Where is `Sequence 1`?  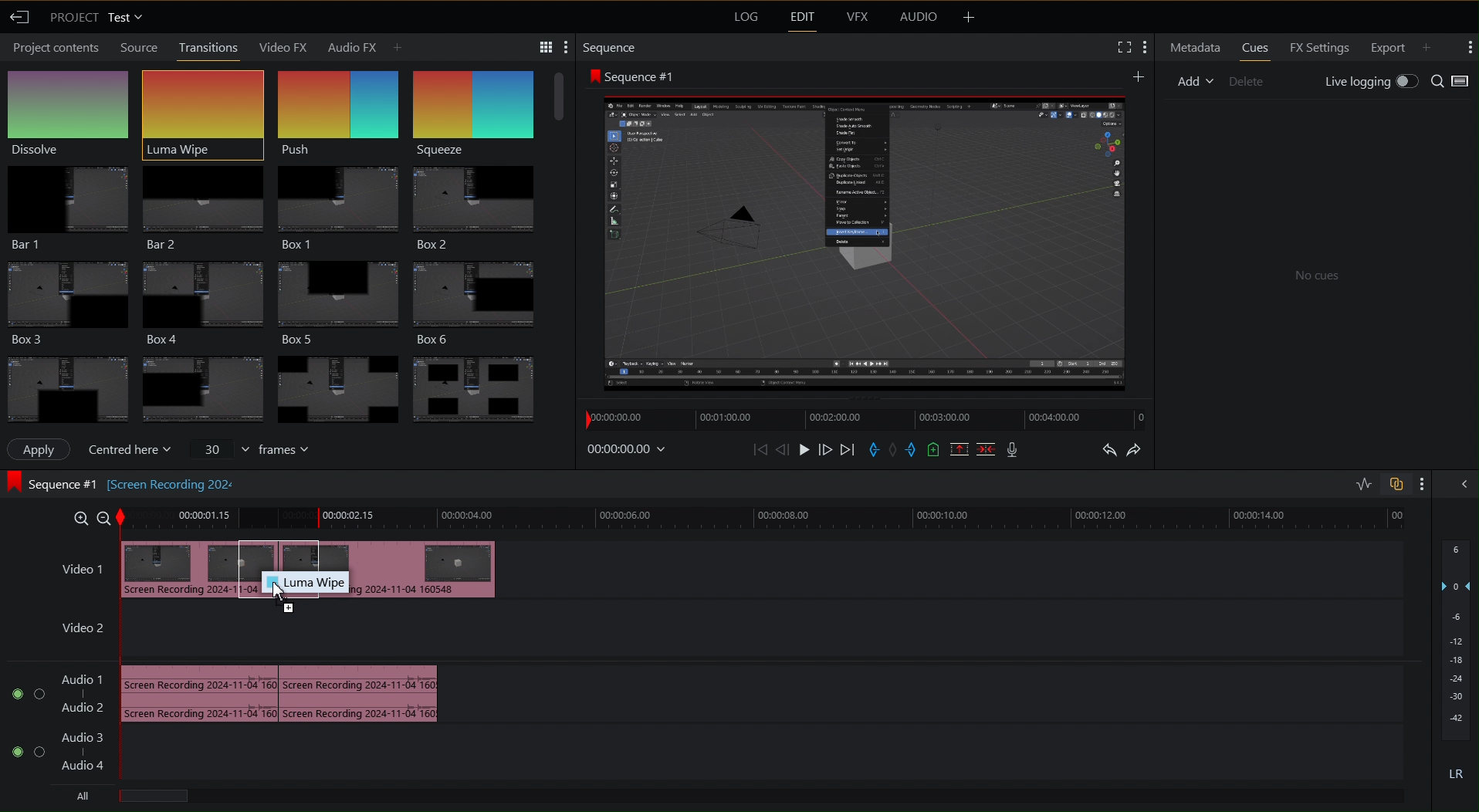 Sequence 1 is located at coordinates (631, 75).